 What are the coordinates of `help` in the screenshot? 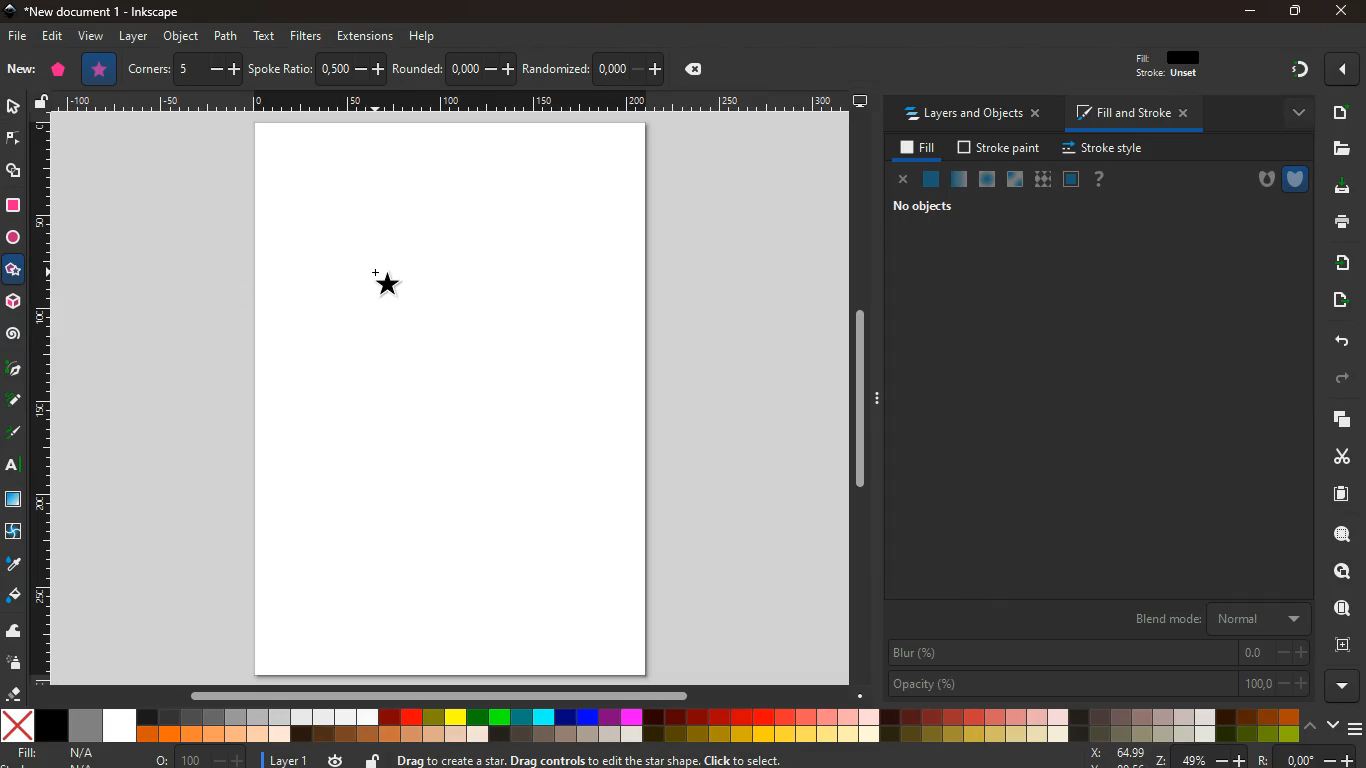 It's located at (424, 38).